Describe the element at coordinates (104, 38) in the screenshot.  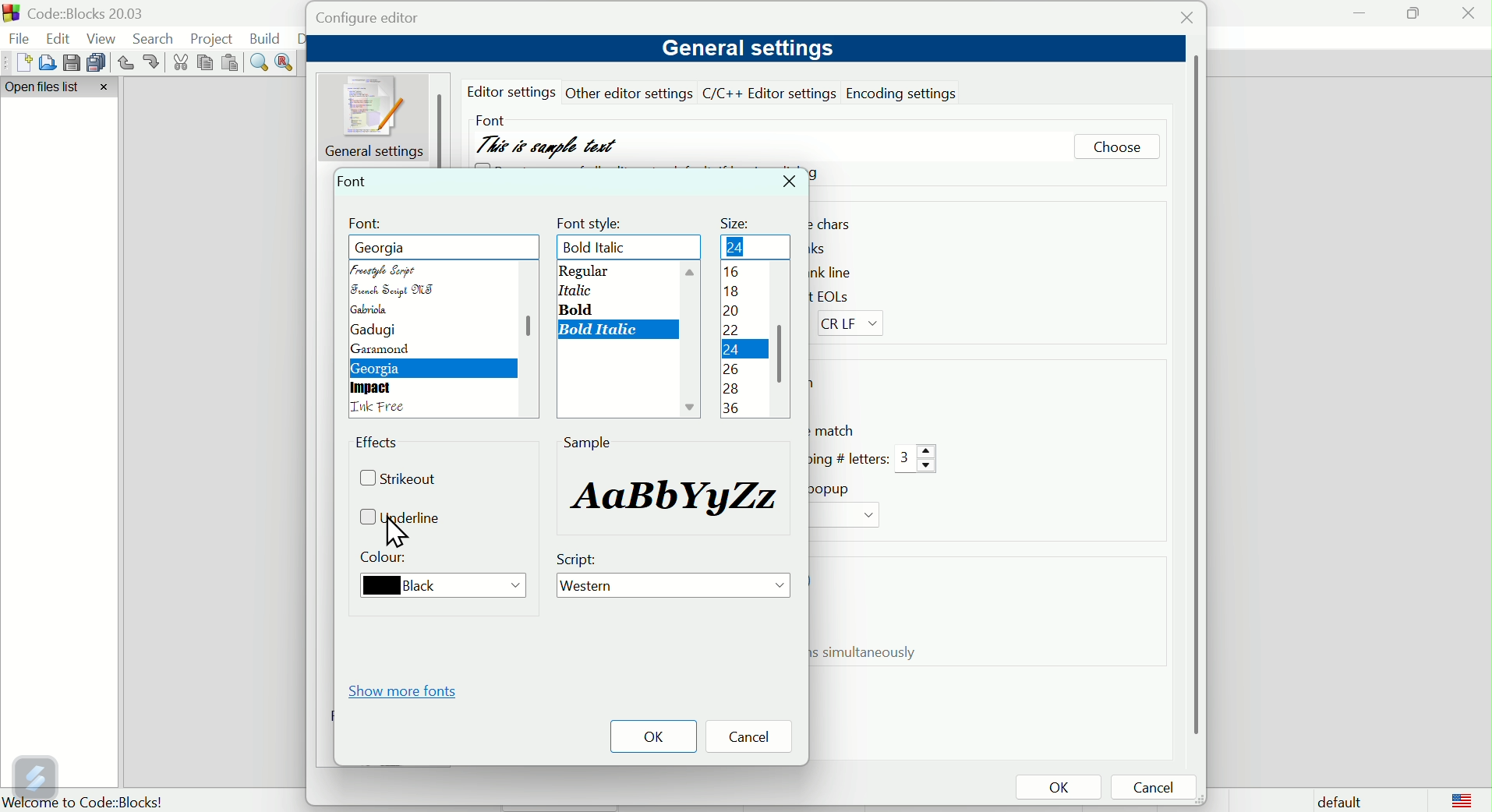
I see `View` at that location.